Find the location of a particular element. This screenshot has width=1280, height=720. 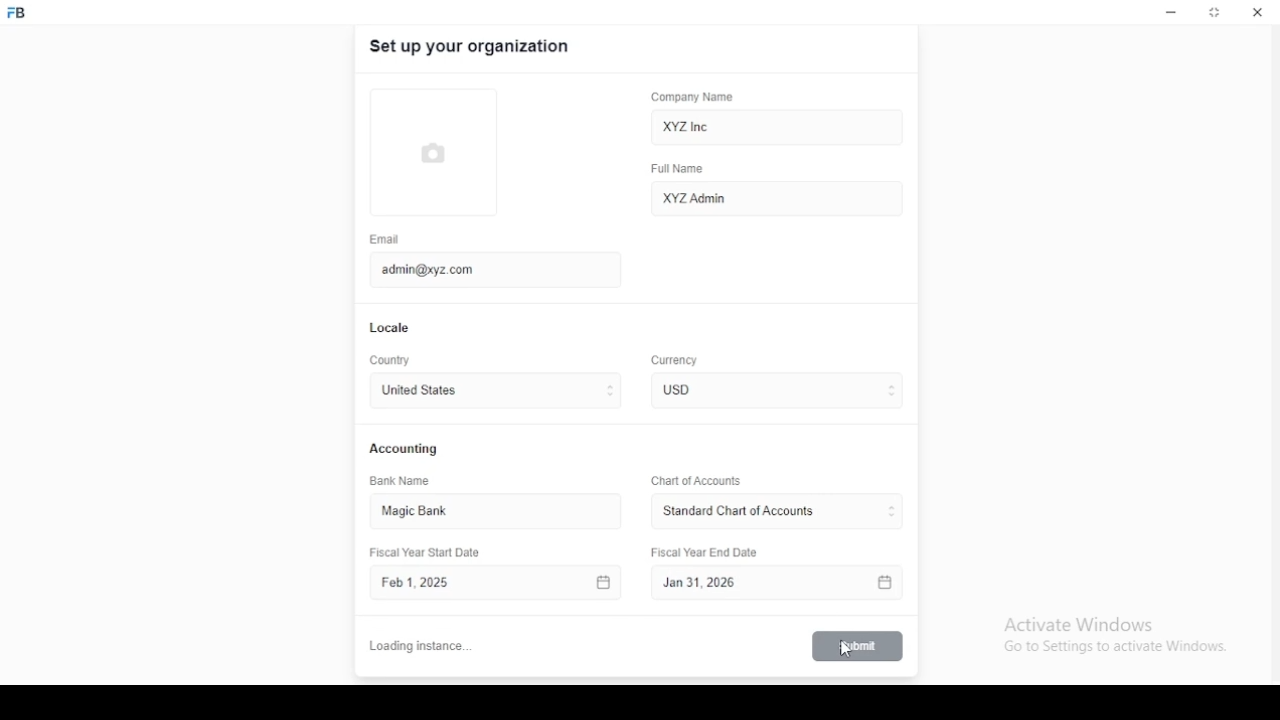

locale is located at coordinates (391, 328).